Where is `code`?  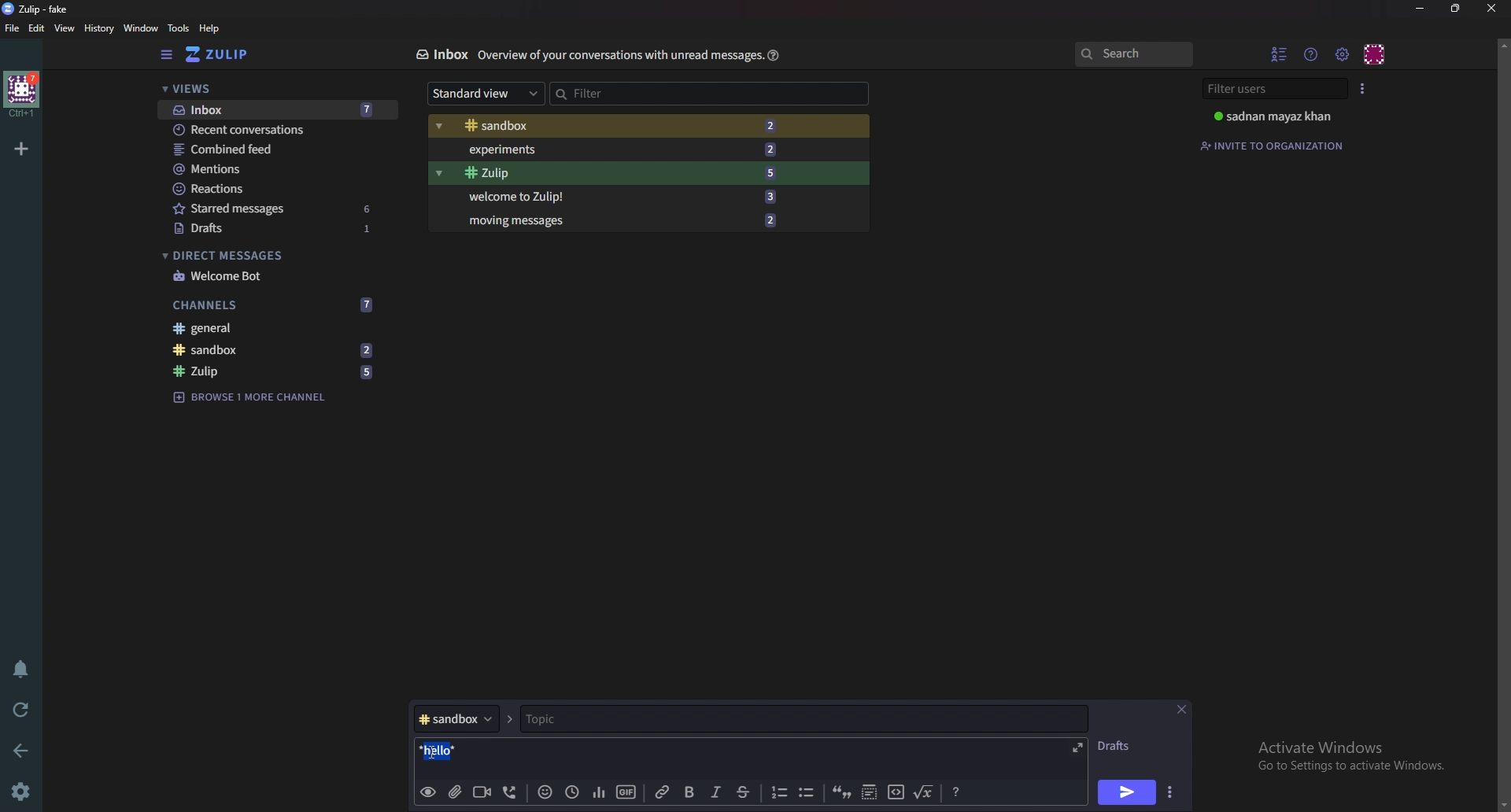
code is located at coordinates (895, 793).